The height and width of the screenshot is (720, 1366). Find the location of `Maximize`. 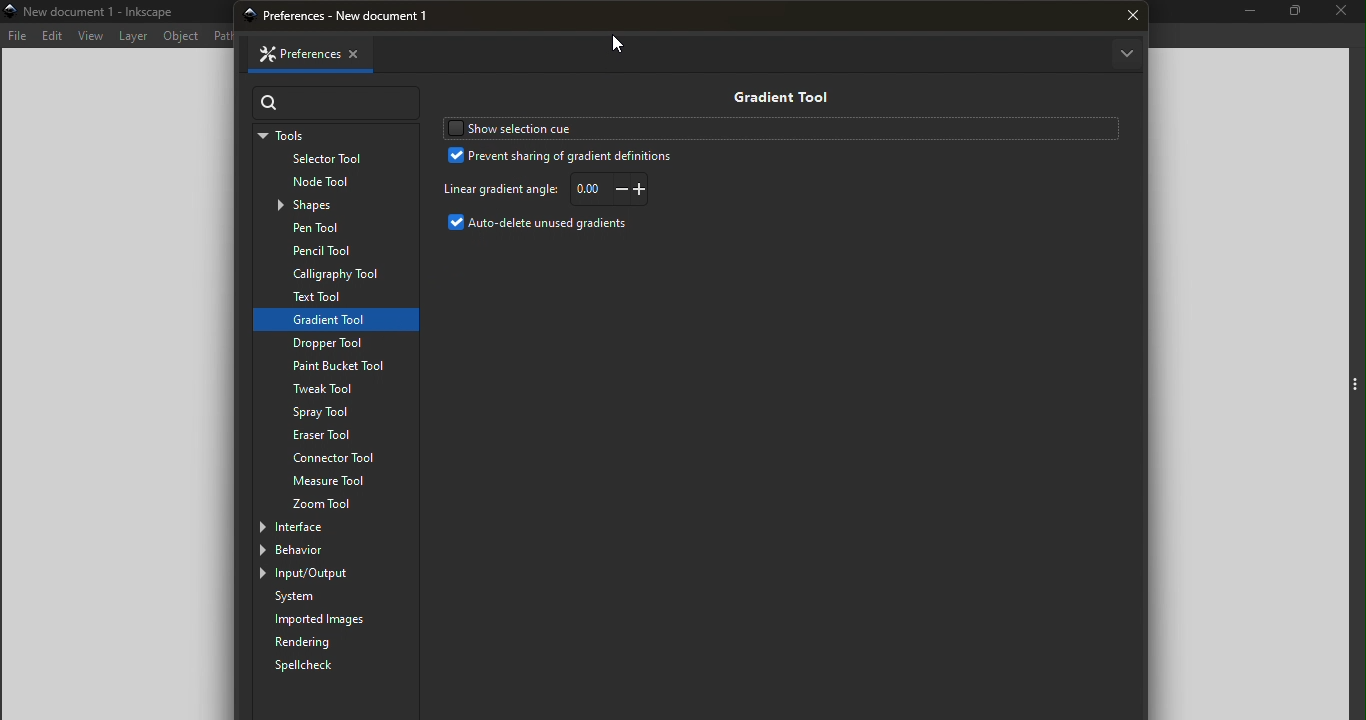

Maximize is located at coordinates (1293, 13).